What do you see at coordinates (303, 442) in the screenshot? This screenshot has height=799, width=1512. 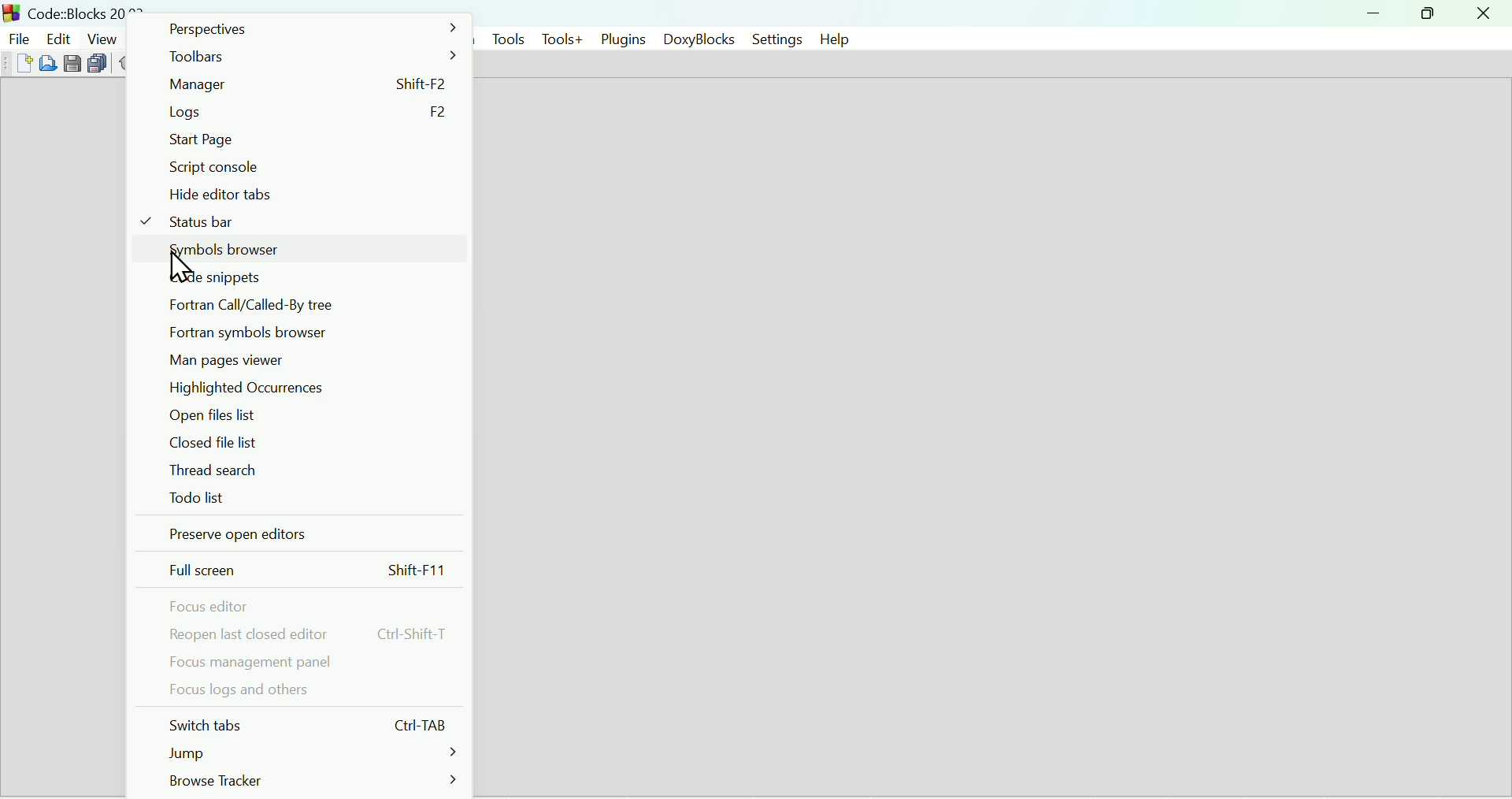 I see `Closed file list` at bounding box center [303, 442].